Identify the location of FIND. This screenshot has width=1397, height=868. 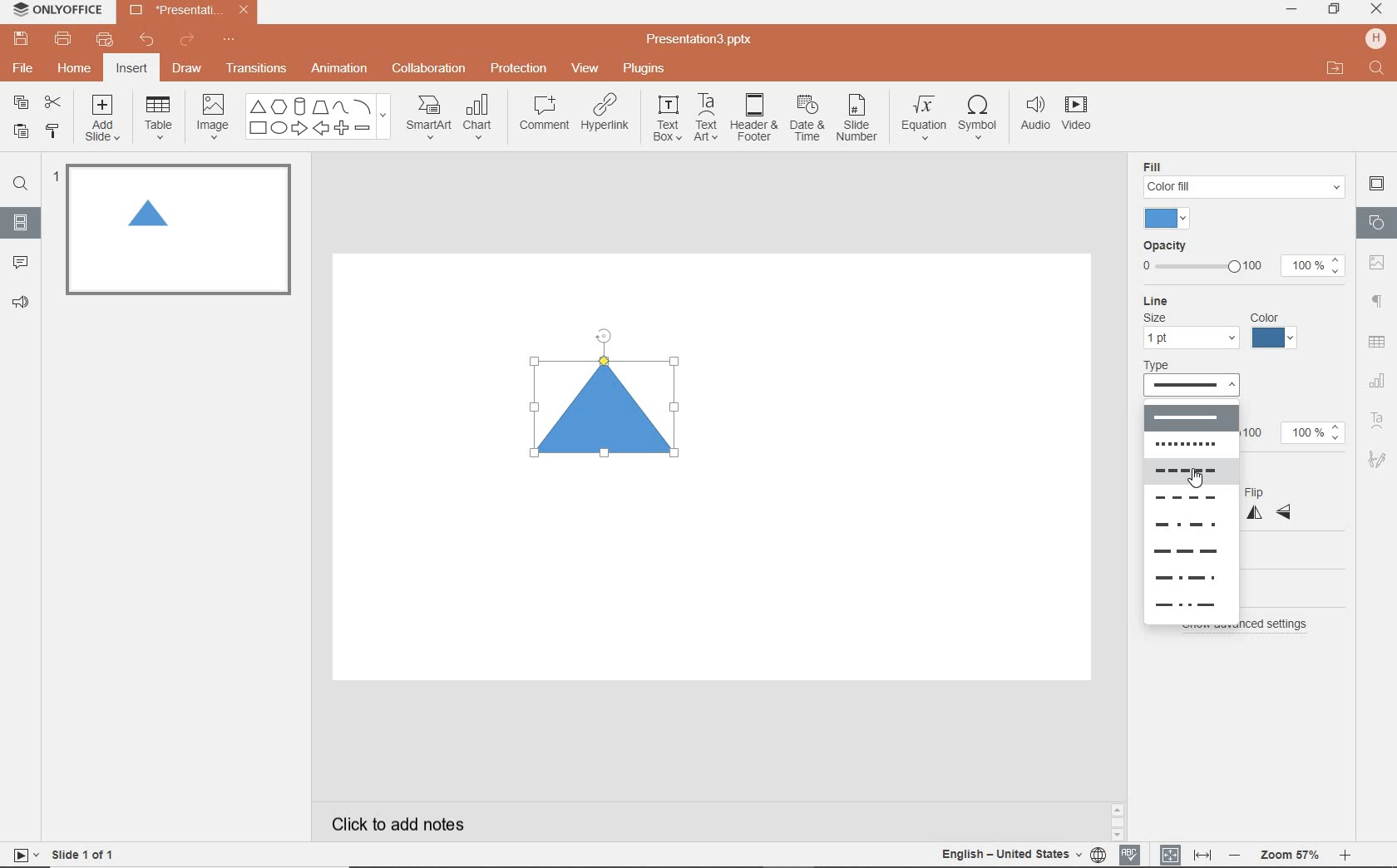
(20, 186).